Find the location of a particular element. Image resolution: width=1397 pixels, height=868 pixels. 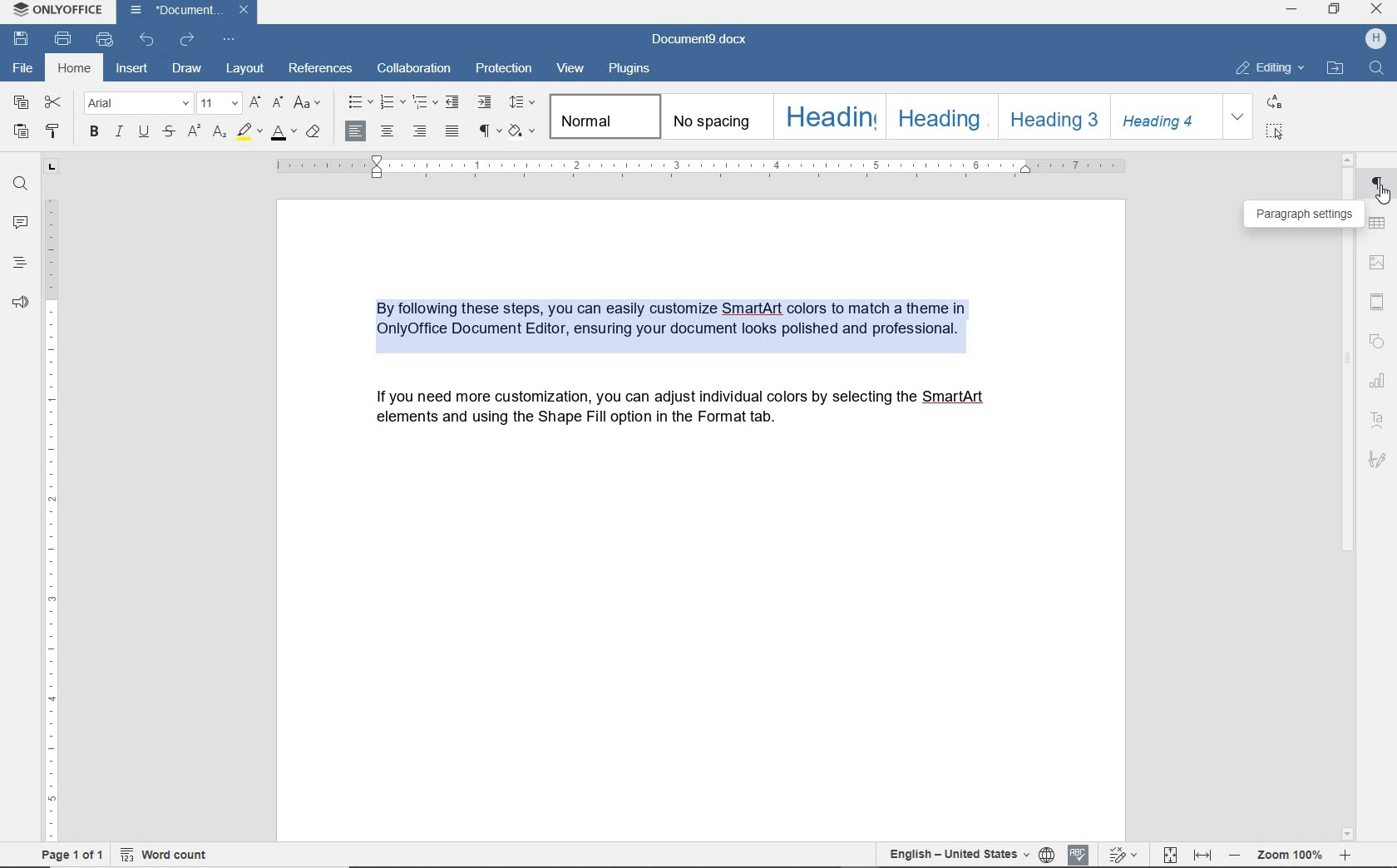

multilevel list is located at coordinates (422, 105).